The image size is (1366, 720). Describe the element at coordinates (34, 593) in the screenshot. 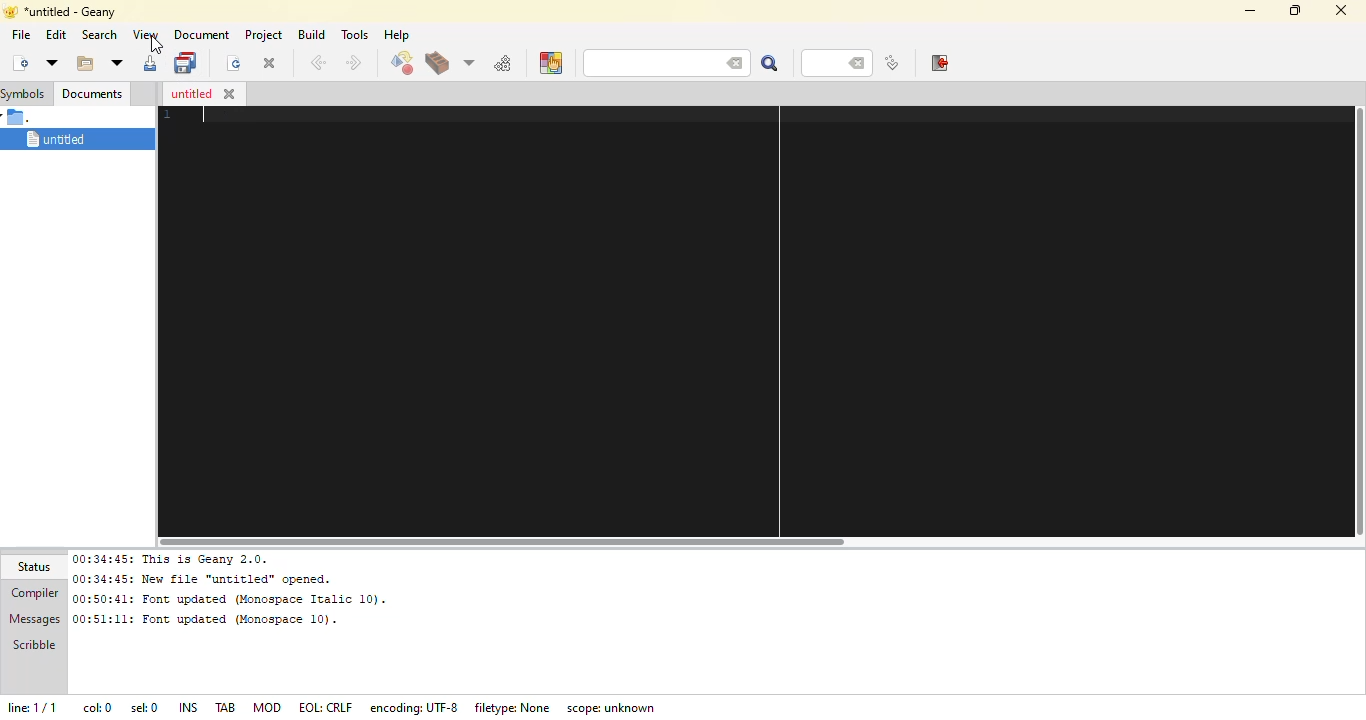

I see `compiler` at that location.